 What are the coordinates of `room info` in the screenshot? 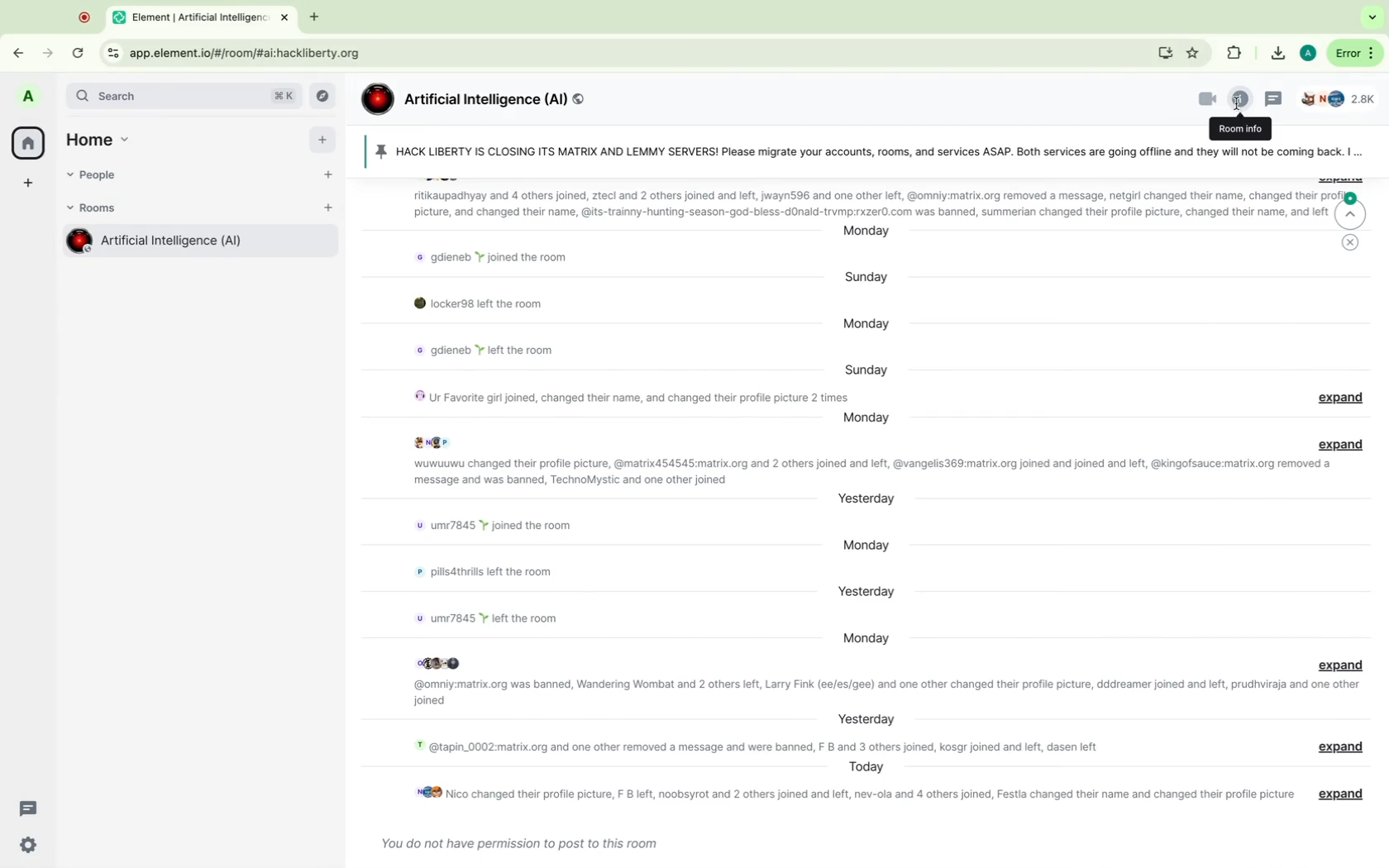 It's located at (1239, 98).